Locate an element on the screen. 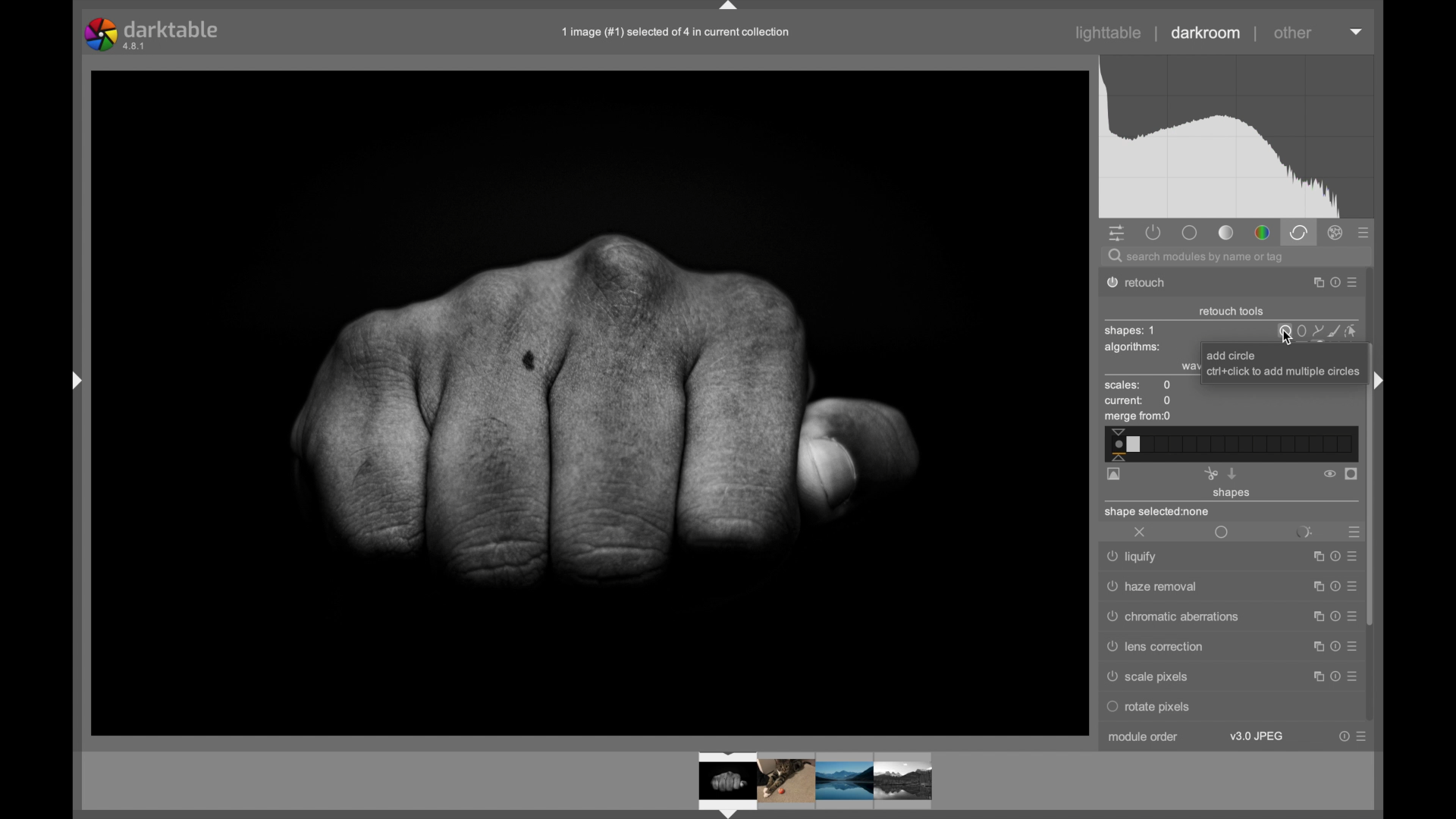 Image resolution: width=1456 pixels, height=819 pixels. merge from: 0 is located at coordinates (1138, 418).